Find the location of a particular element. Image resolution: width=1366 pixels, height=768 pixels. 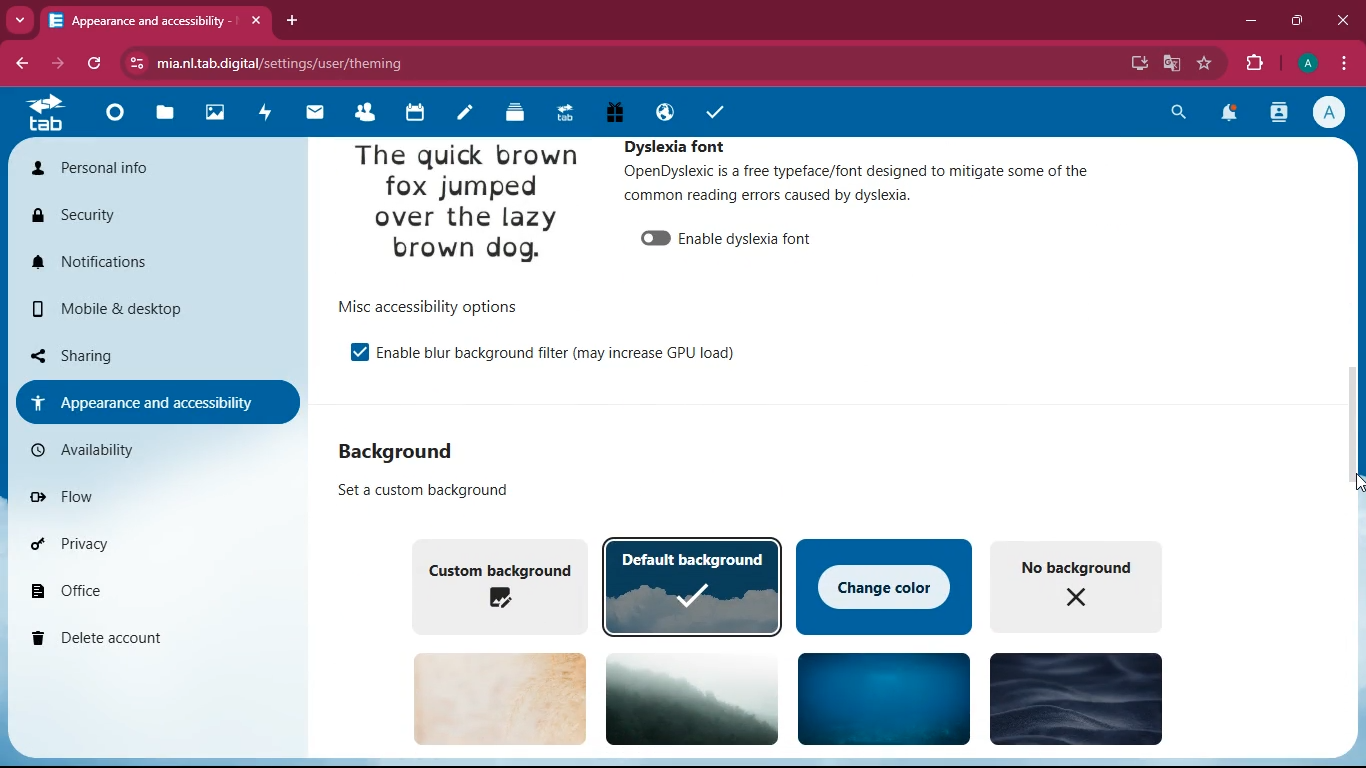

public is located at coordinates (661, 112).